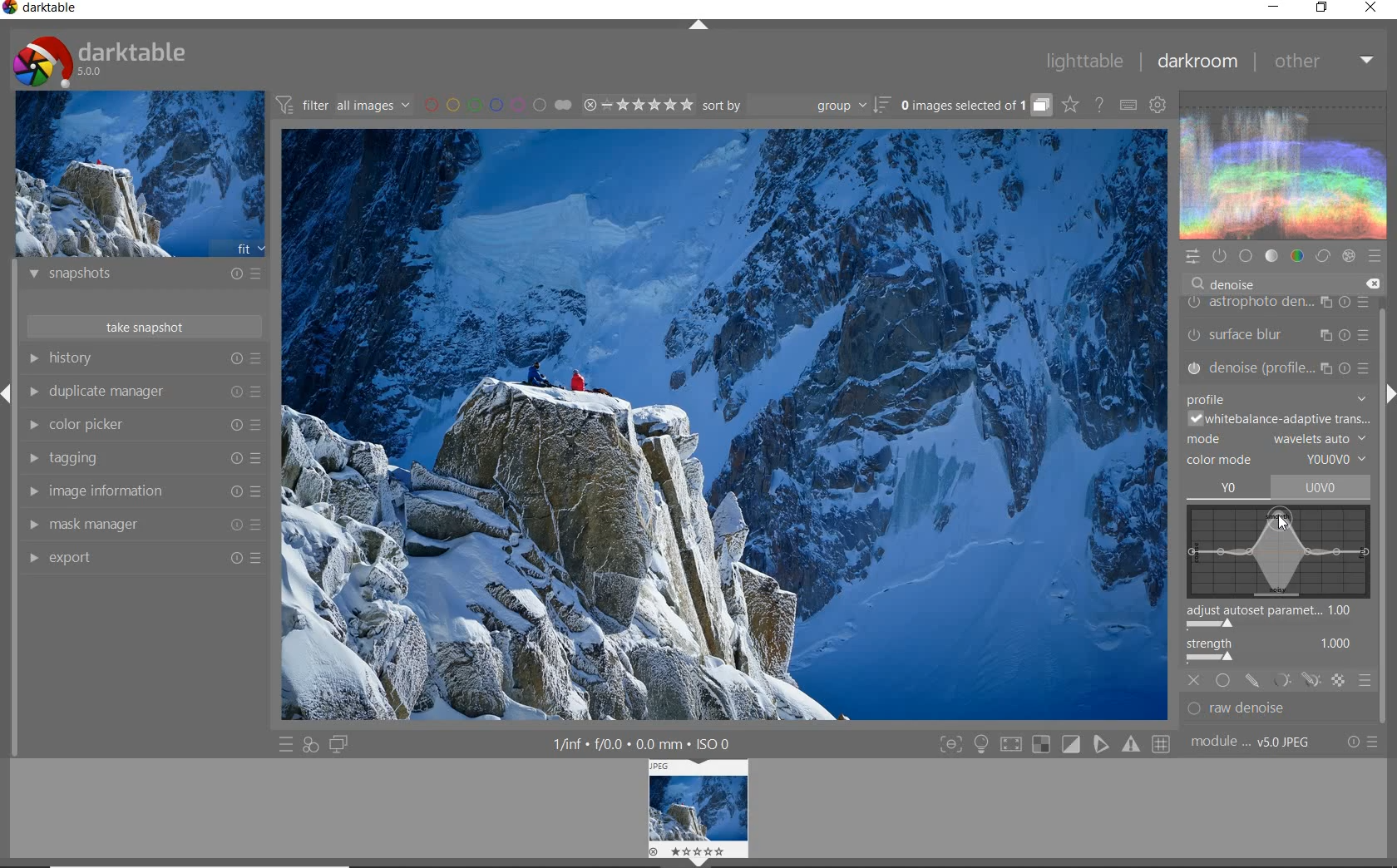  What do you see at coordinates (1276, 395) in the screenshot?
I see `profile` at bounding box center [1276, 395].